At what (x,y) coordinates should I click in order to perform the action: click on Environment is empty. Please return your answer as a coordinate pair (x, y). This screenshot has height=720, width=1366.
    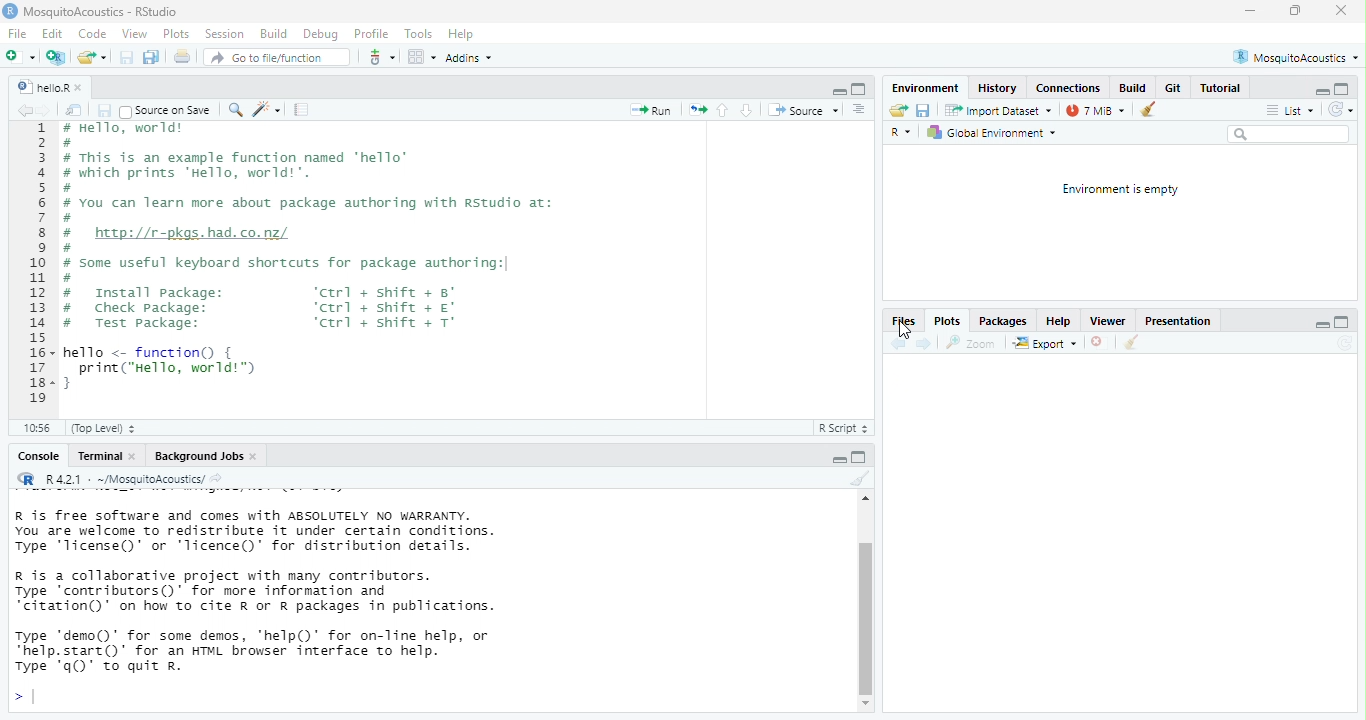
    Looking at the image, I should click on (1113, 190).